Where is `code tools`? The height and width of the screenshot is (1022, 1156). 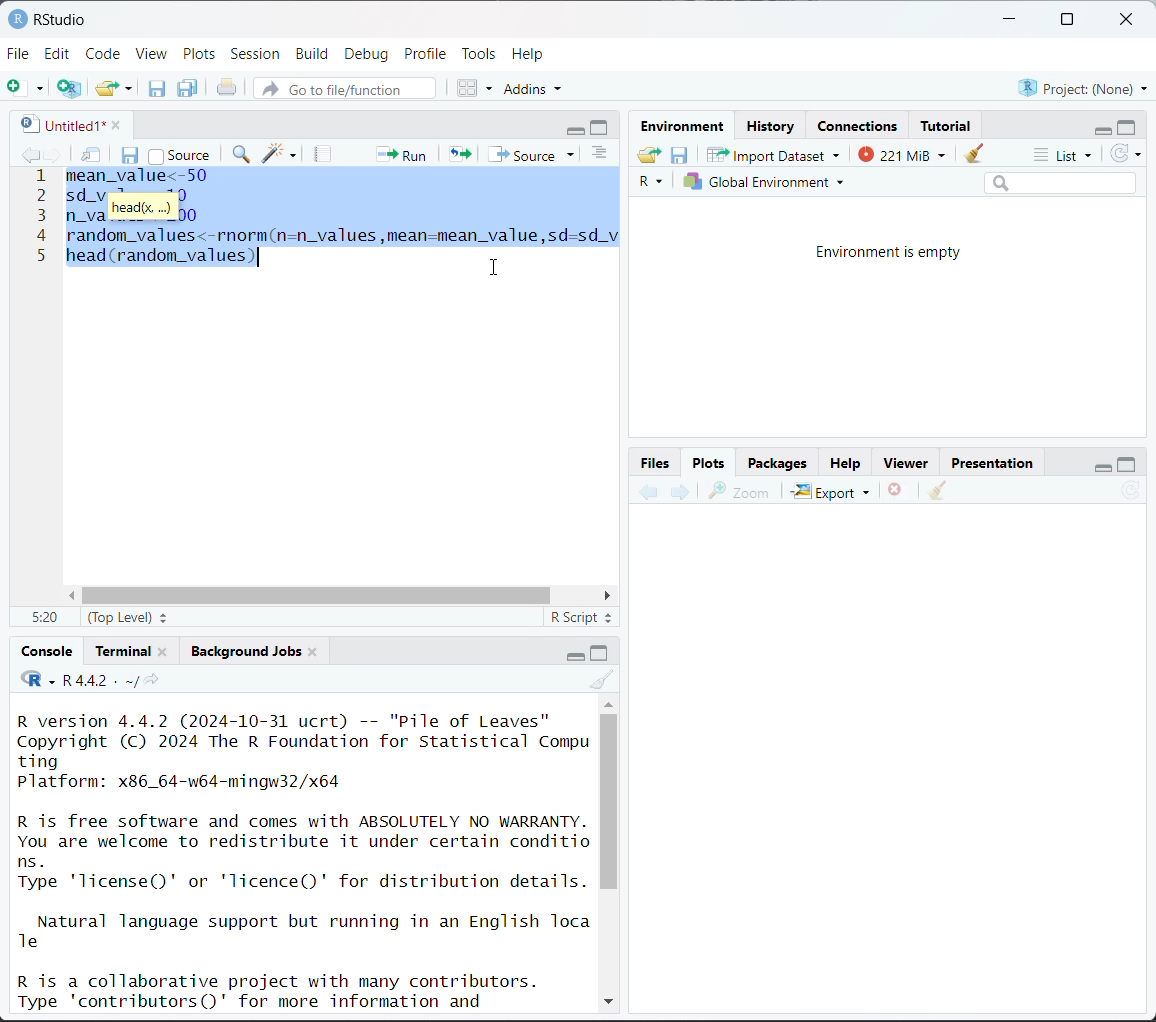 code tools is located at coordinates (280, 153).